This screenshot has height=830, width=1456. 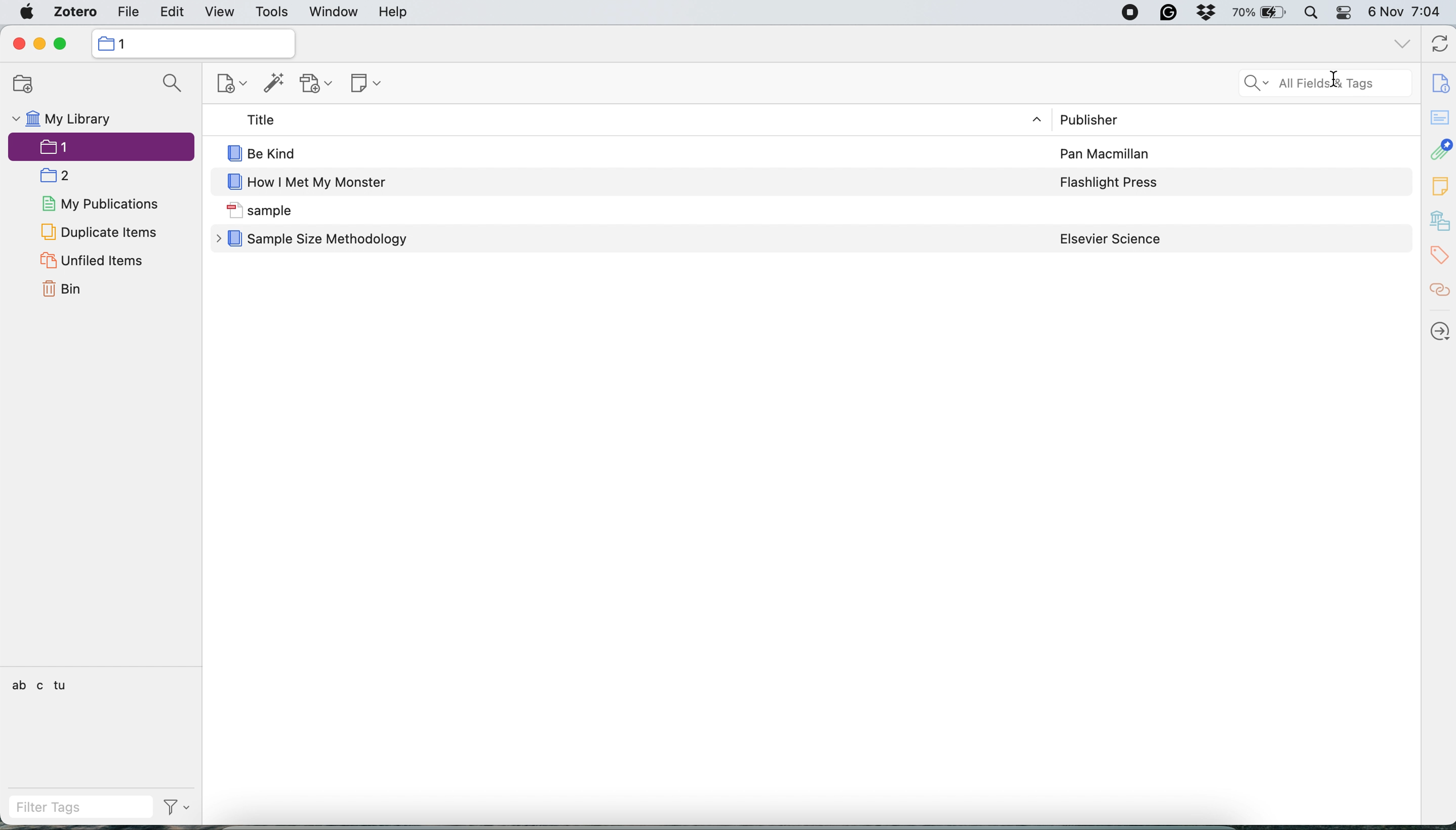 I want to click on minimise, so click(x=39, y=44).